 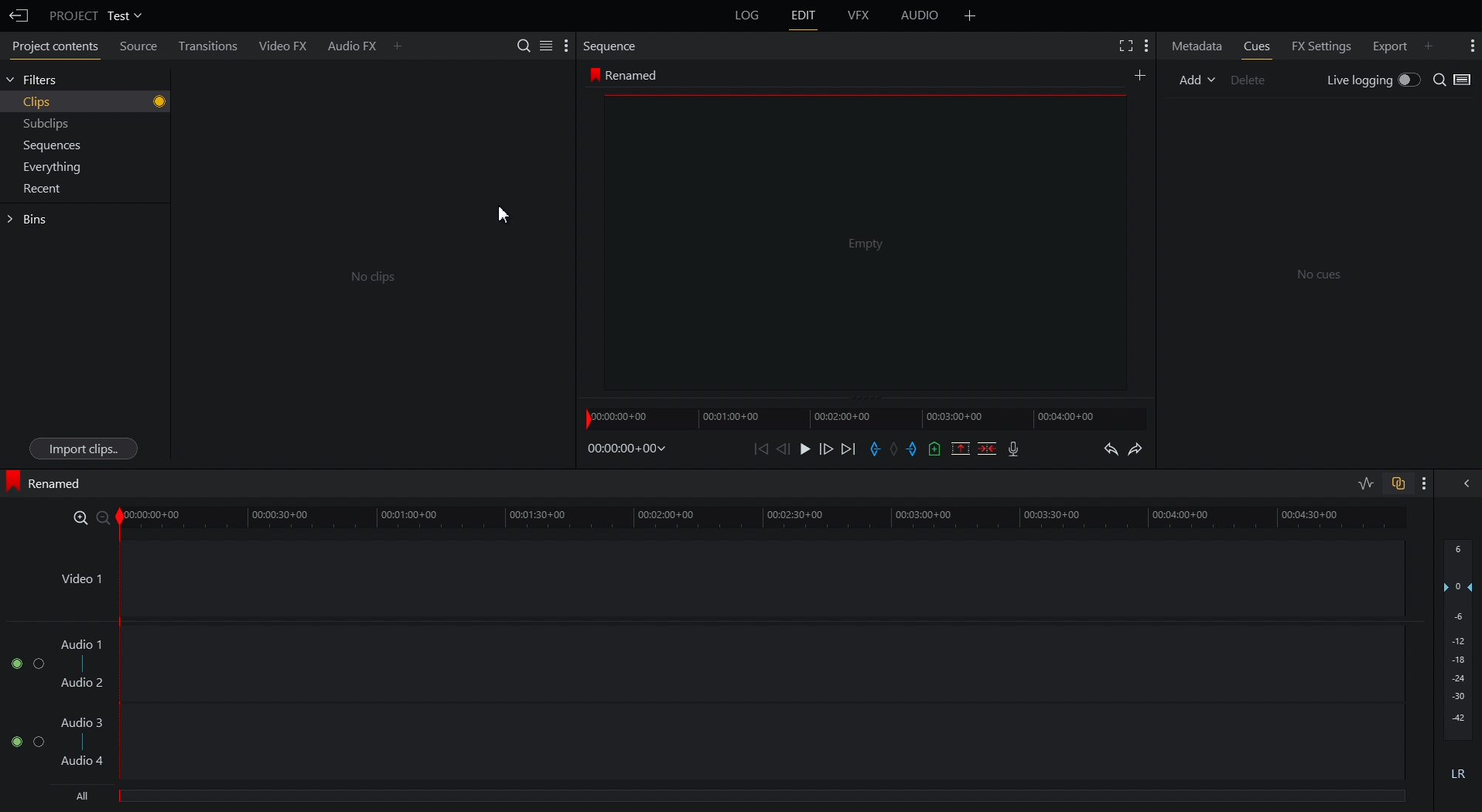 What do you see at coordinates (1320, 276) in the screenshot?
I see `No cues` at bounding box center [1320, 276].